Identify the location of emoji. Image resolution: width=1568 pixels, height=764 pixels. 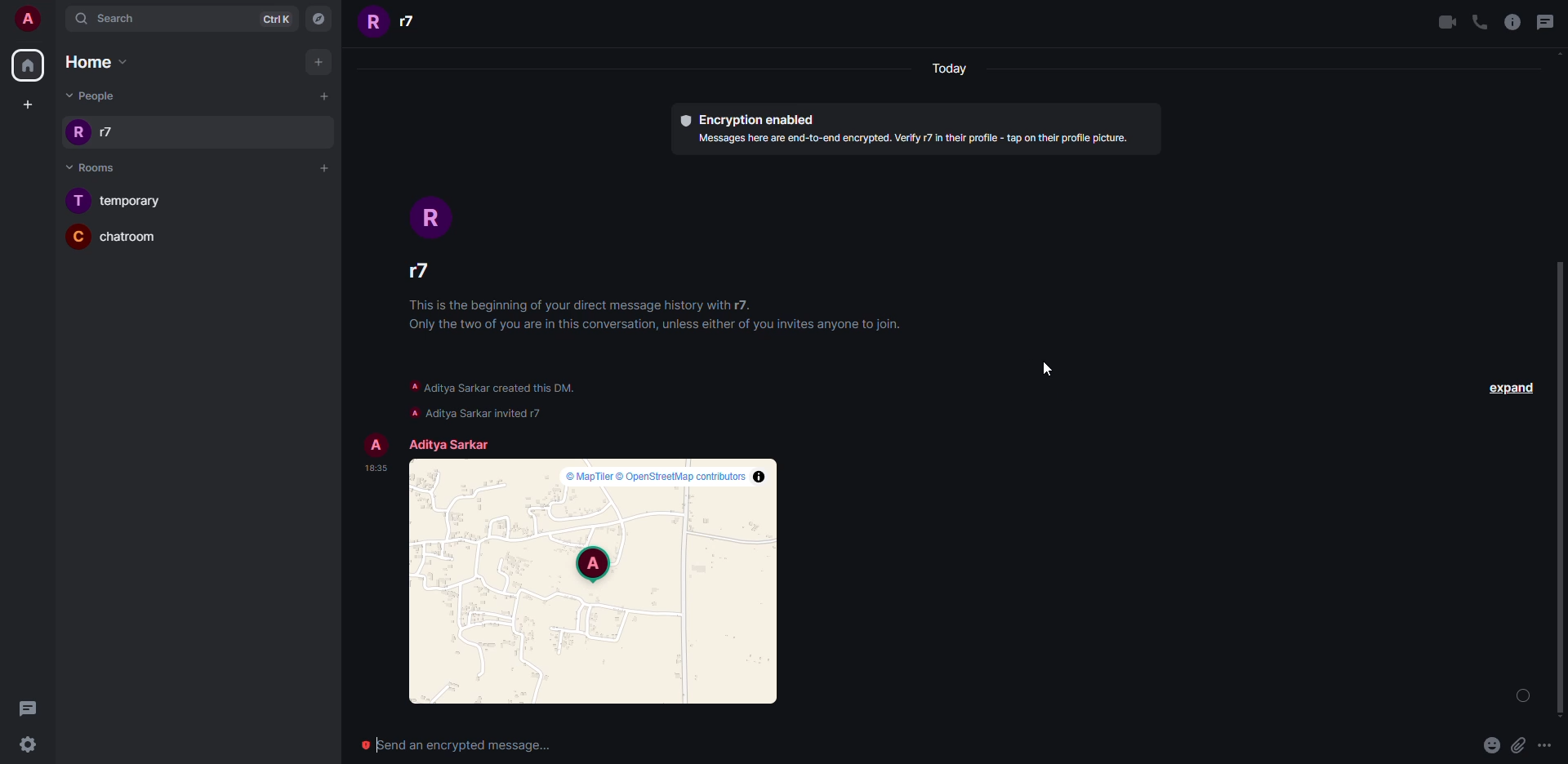
(1489, 746).